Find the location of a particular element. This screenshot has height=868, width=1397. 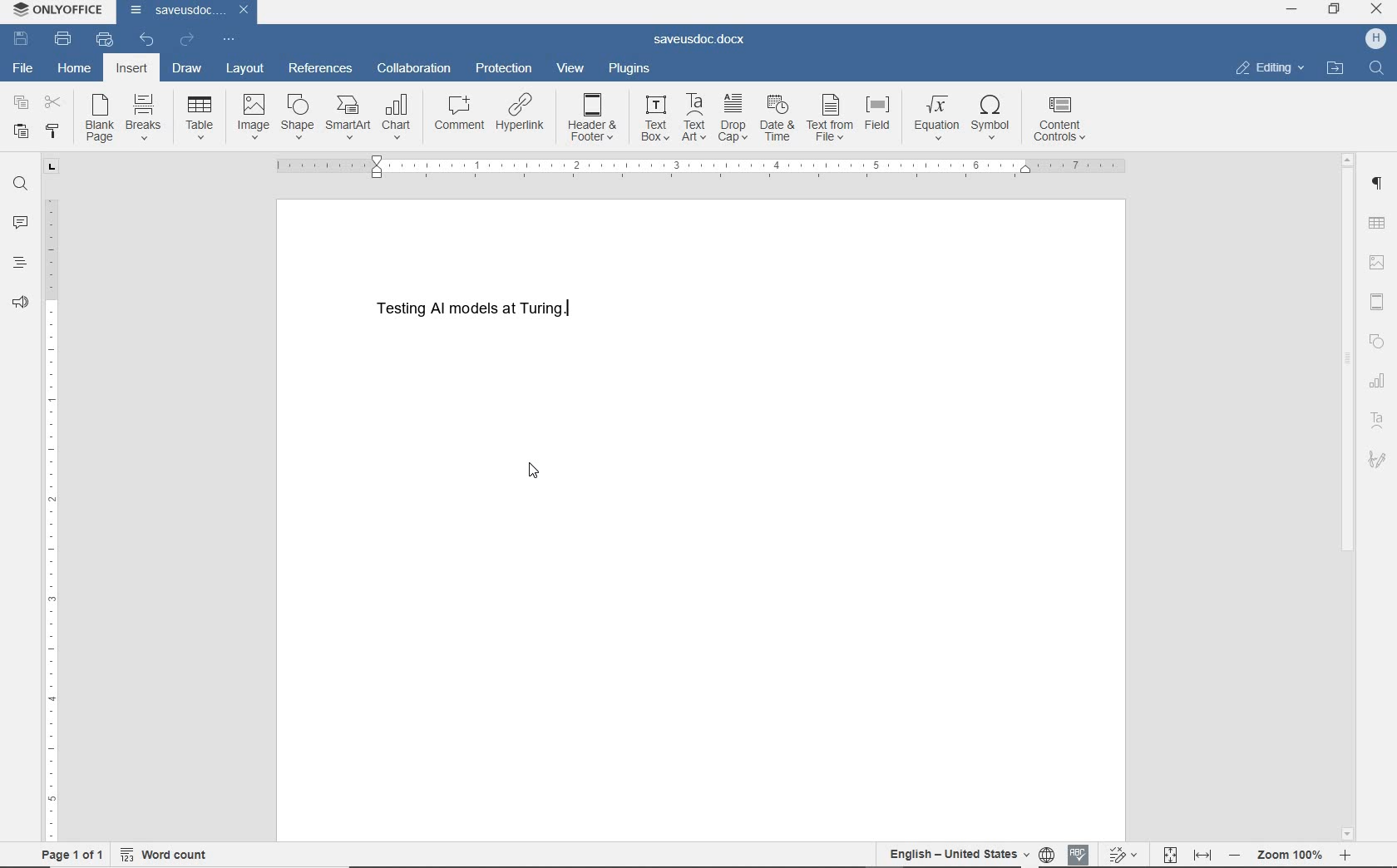

redo is located at coordinates (185, 42).